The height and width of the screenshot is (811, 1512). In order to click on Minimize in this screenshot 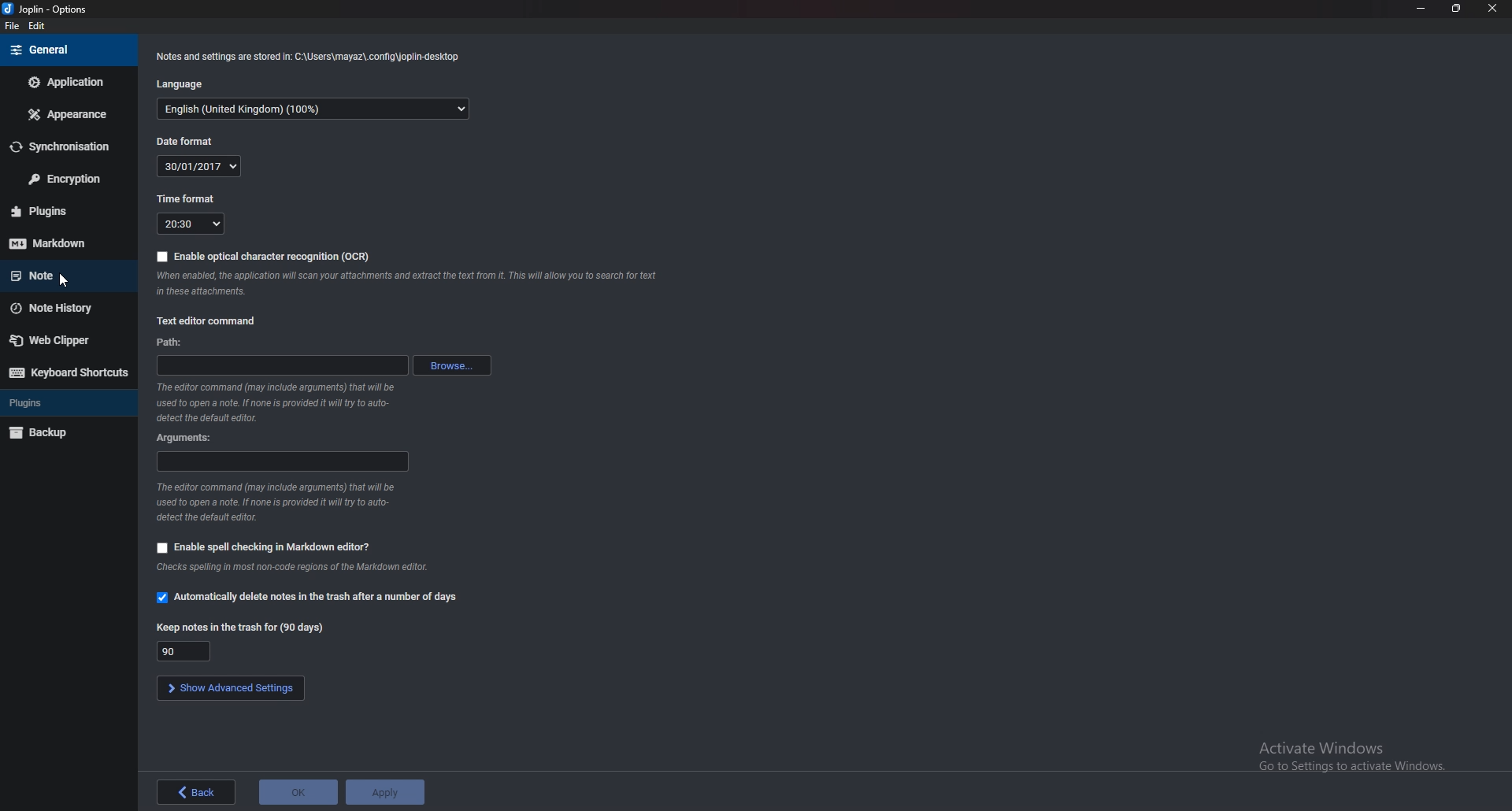, I will do `click(1421, 8)`.